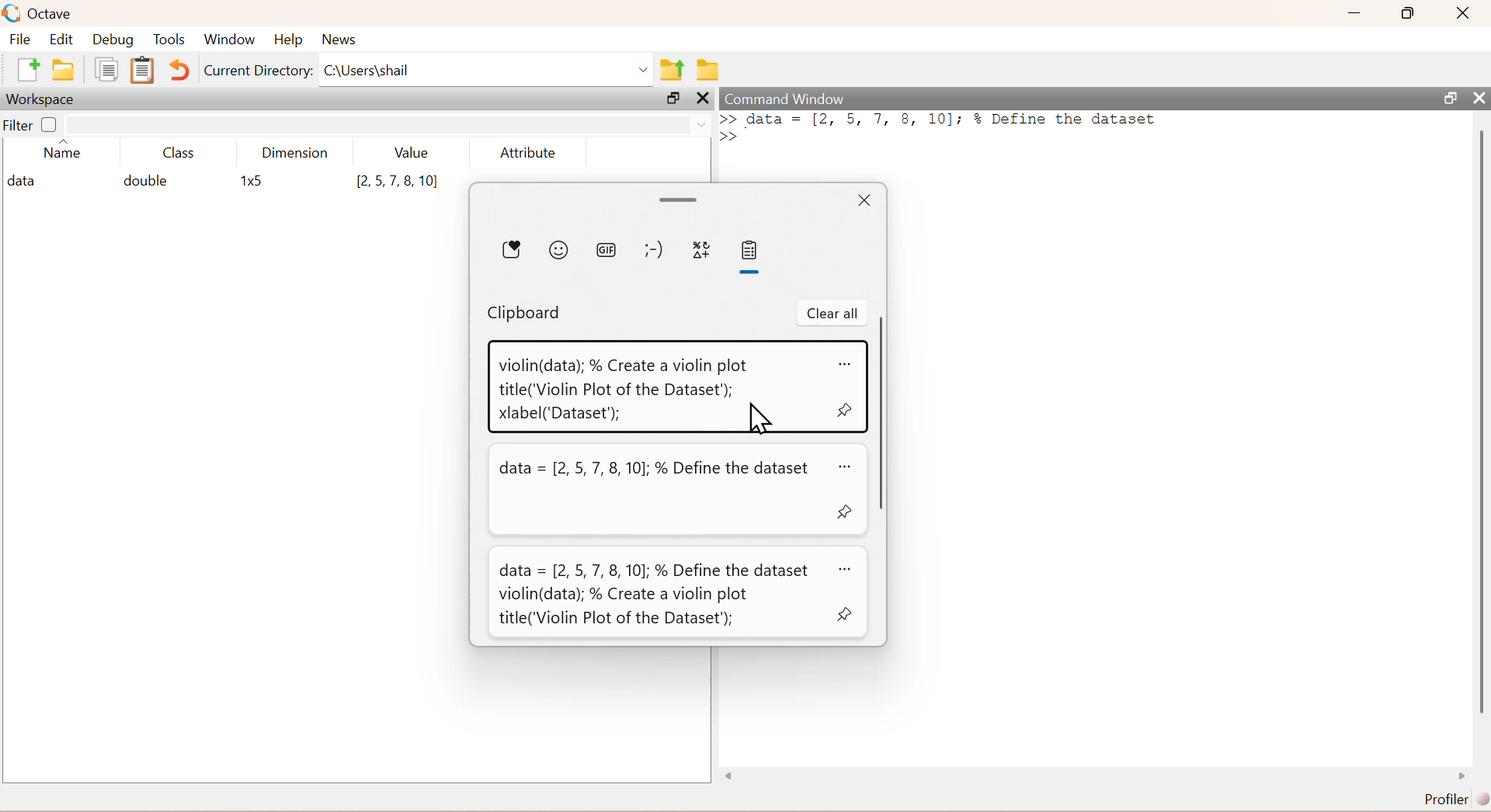  Describe the element at coordinates (845, 512) in the screenshot. I see `pin` at that location.